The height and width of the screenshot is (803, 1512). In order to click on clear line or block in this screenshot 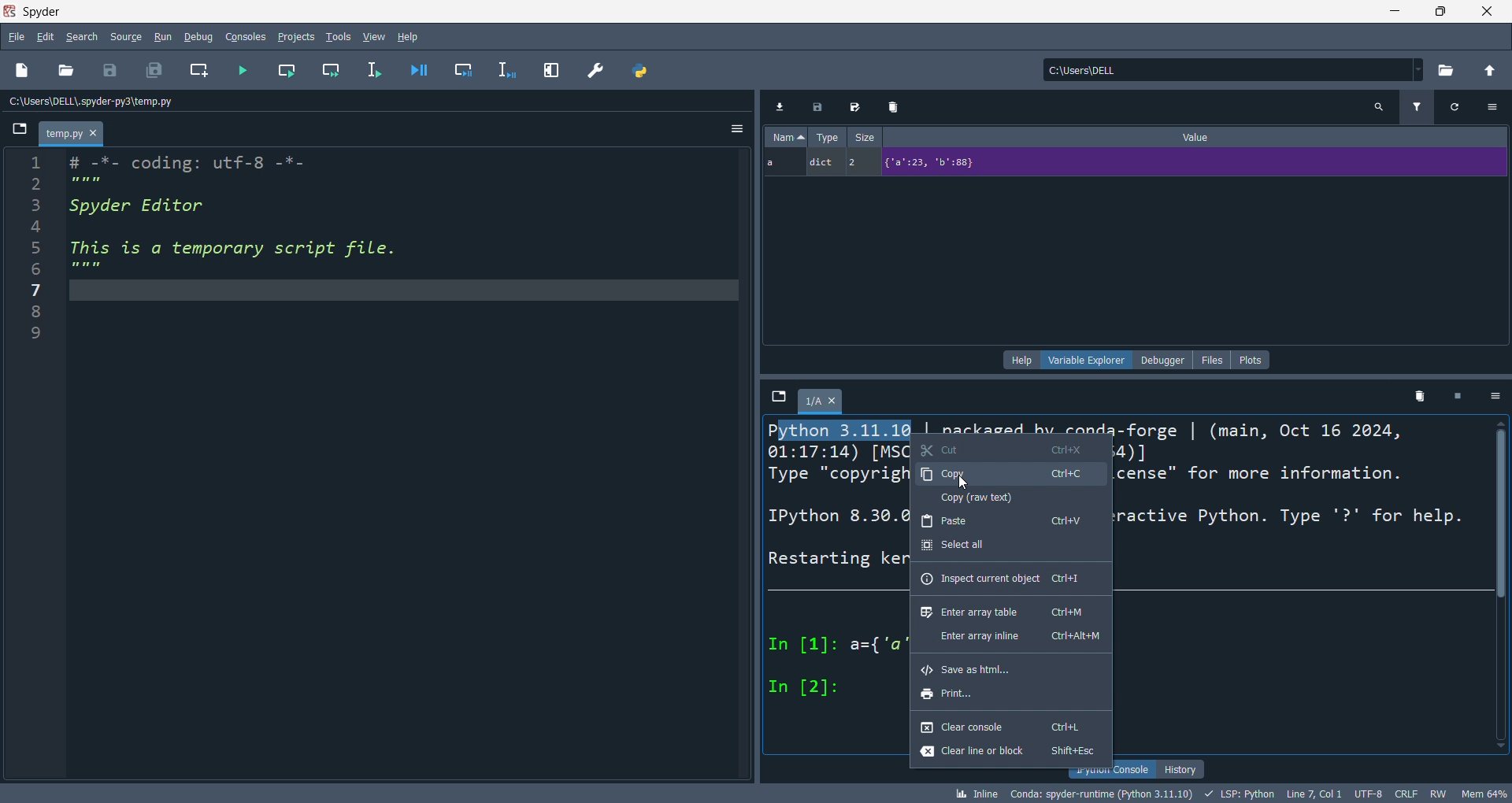, I will do `click(1011, 753)`.